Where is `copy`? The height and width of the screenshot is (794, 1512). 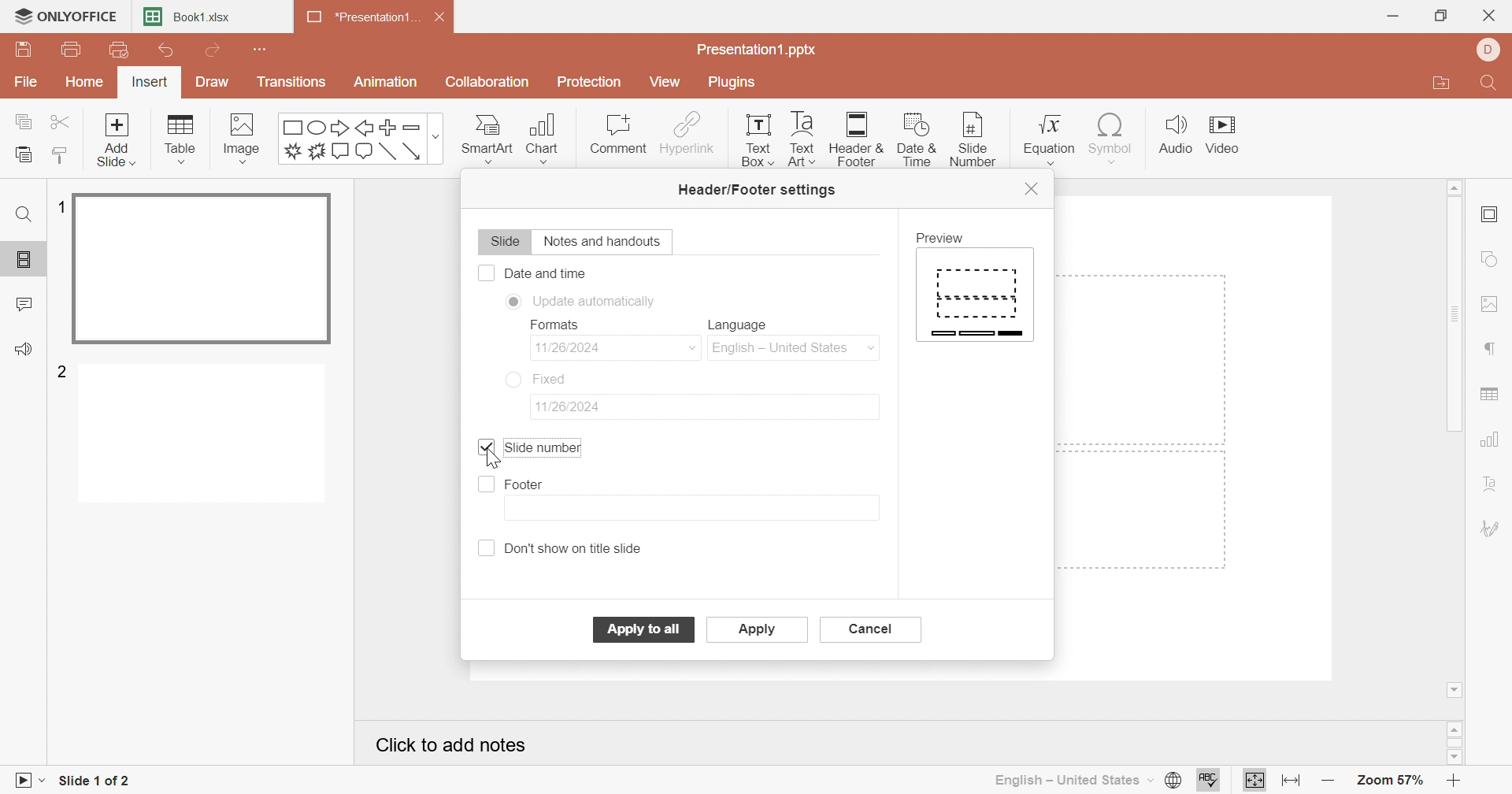 copy is located at coordinates (27, 119).